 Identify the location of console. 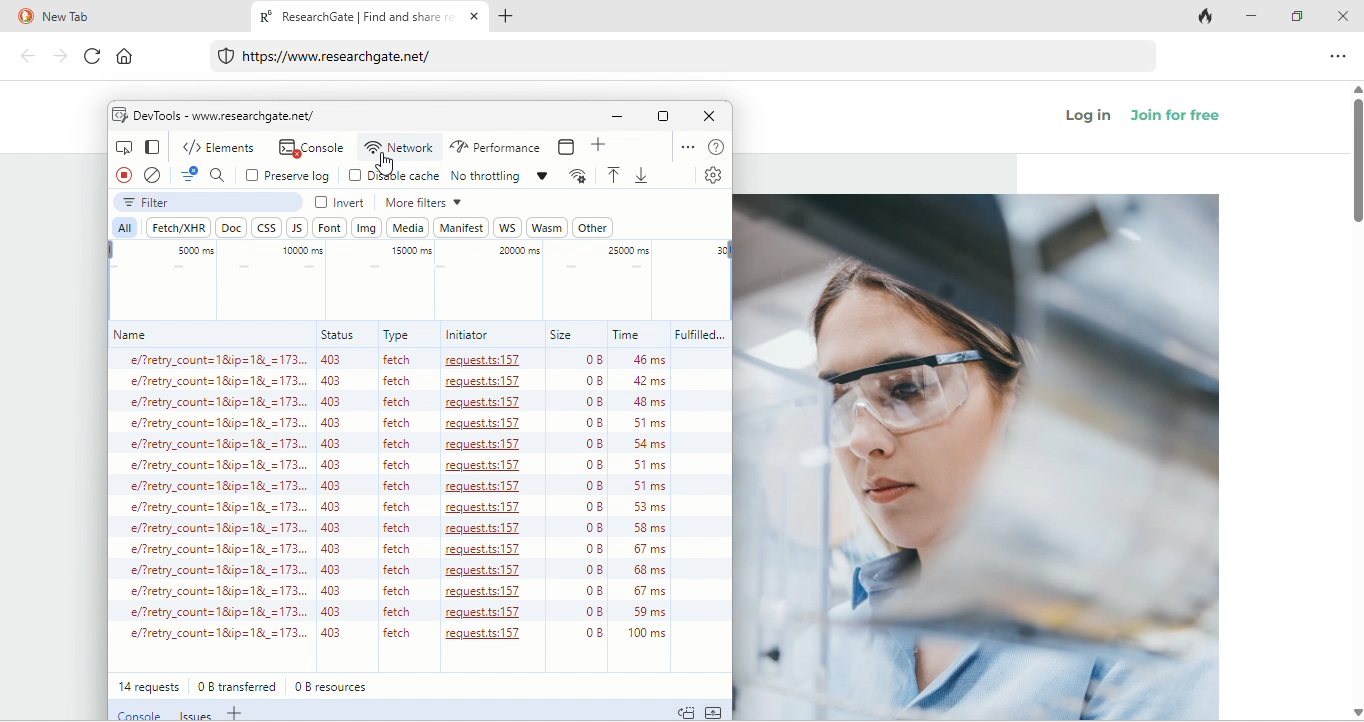
(136, 713).